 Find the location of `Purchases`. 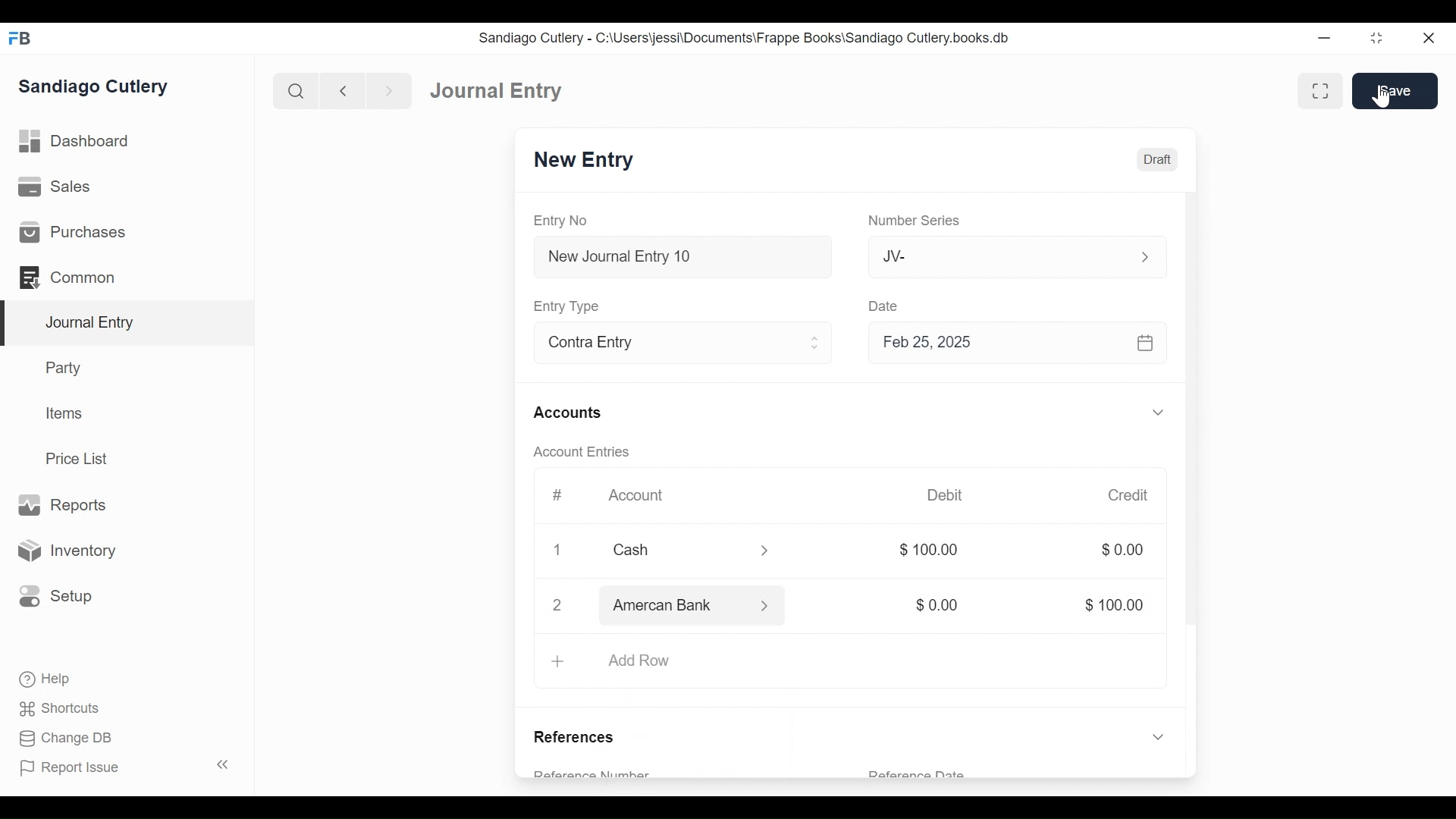

Purchases is located at coordinates (73, 233).